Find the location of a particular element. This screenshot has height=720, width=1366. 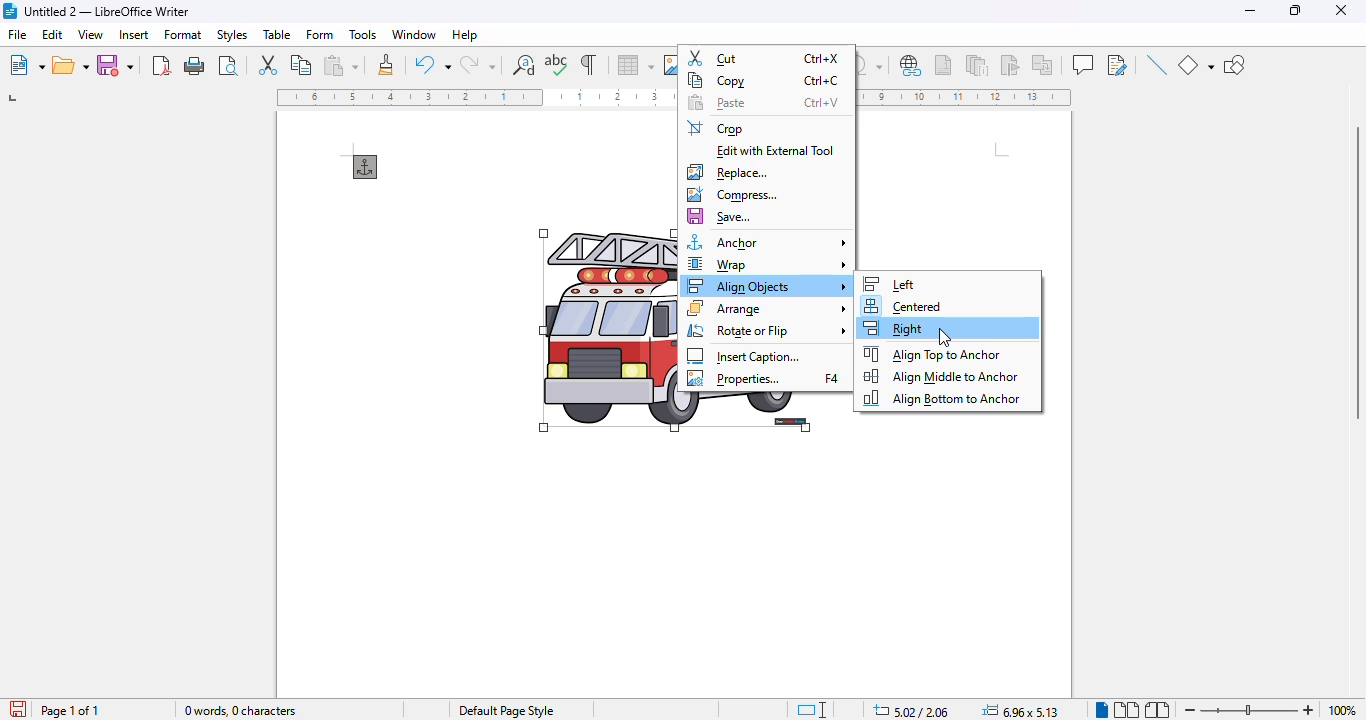

insert hyperlink is located at coordinates (912, 66).